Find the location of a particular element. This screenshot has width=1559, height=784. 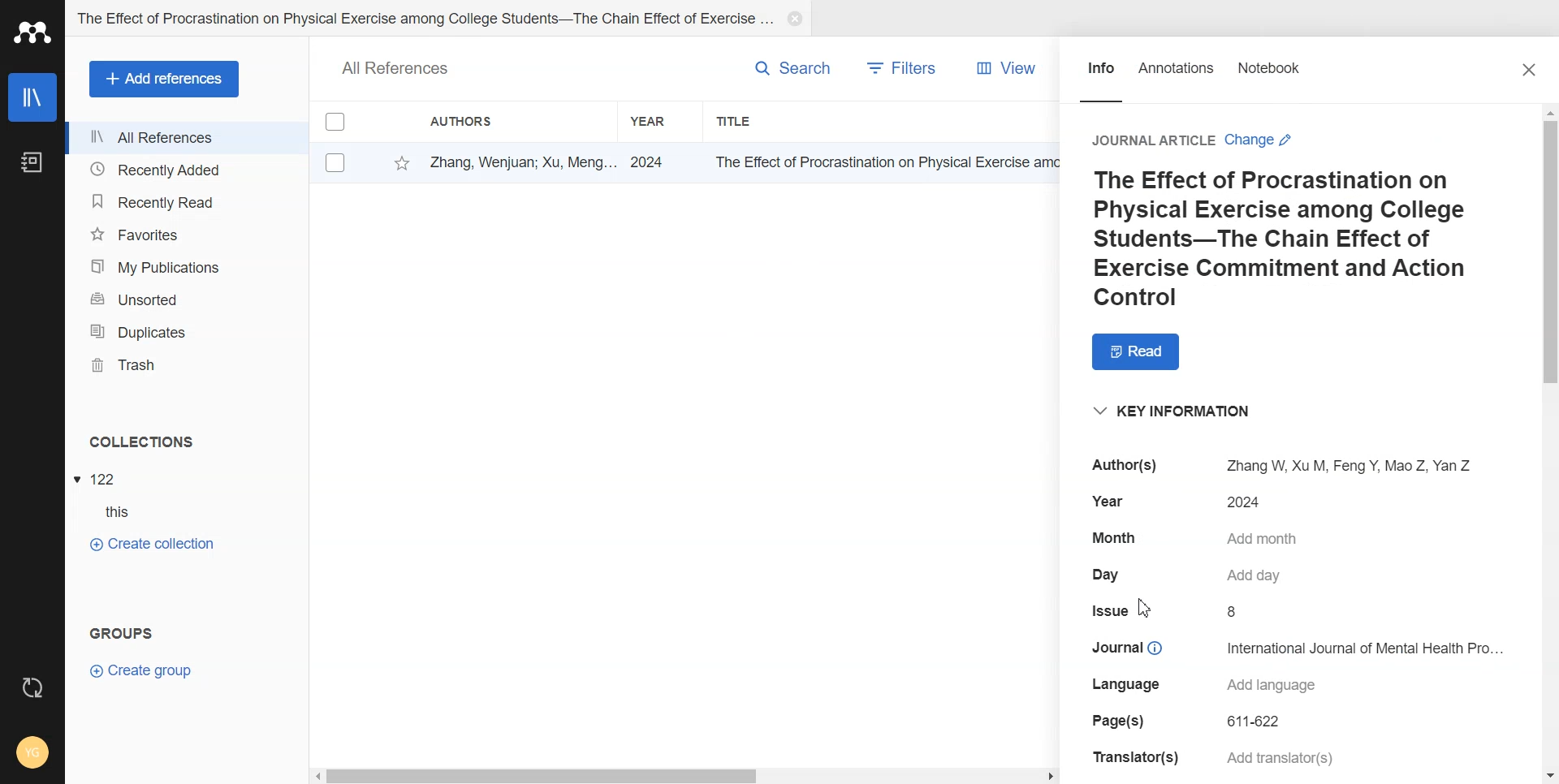

Translator(s) Add translator(s) is located at coordinates (1218, 759).